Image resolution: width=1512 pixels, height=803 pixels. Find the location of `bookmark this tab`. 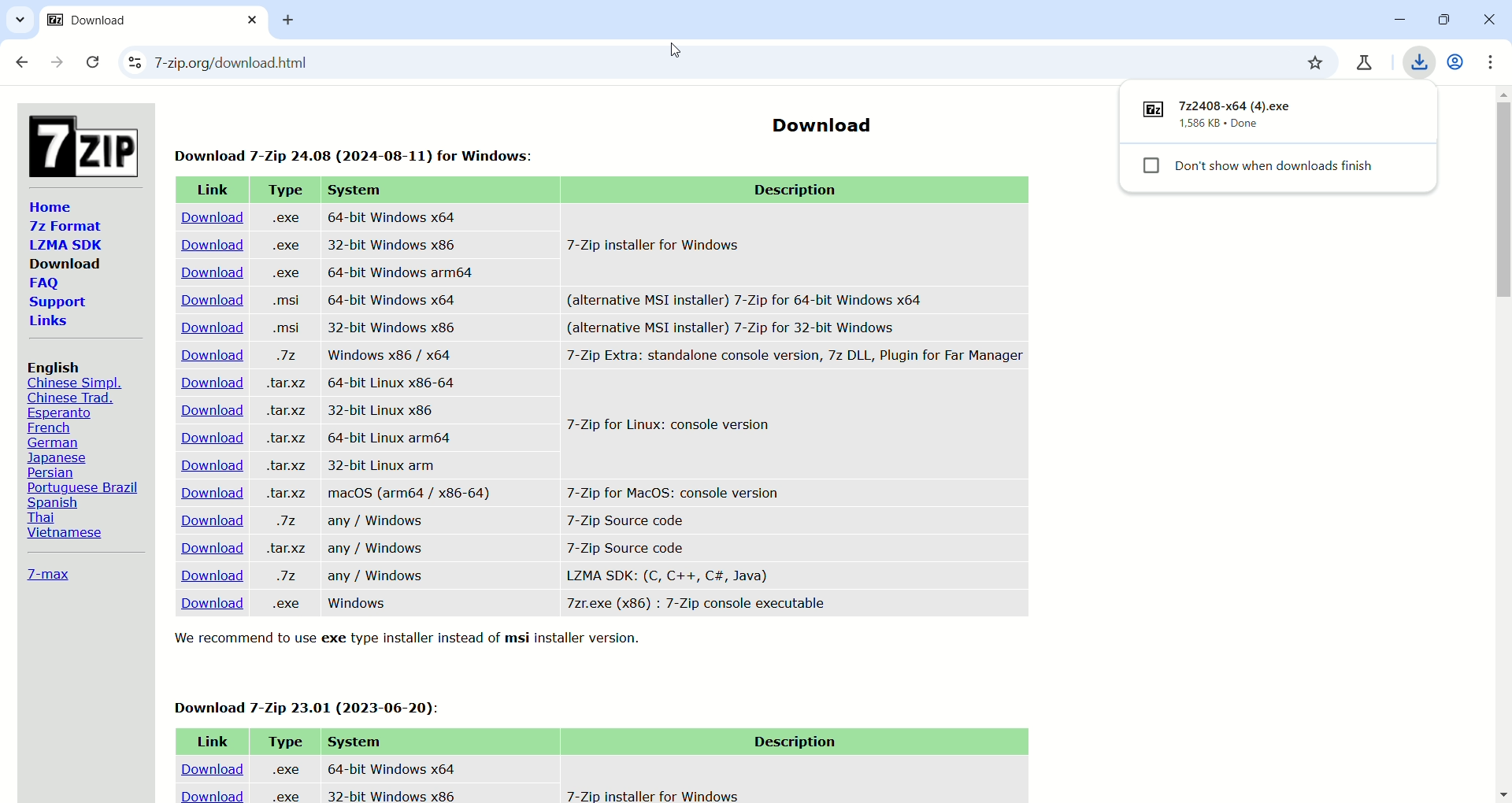

bookmark this tab is located at coordinates (1314, 62).